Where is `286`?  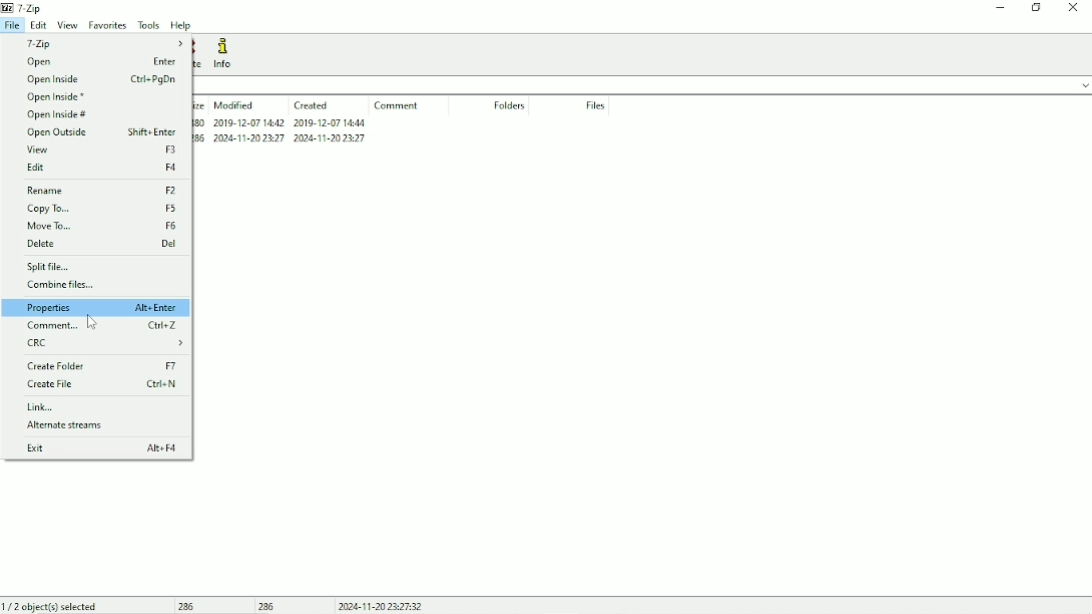
286 is located at coordinates (268, 606).